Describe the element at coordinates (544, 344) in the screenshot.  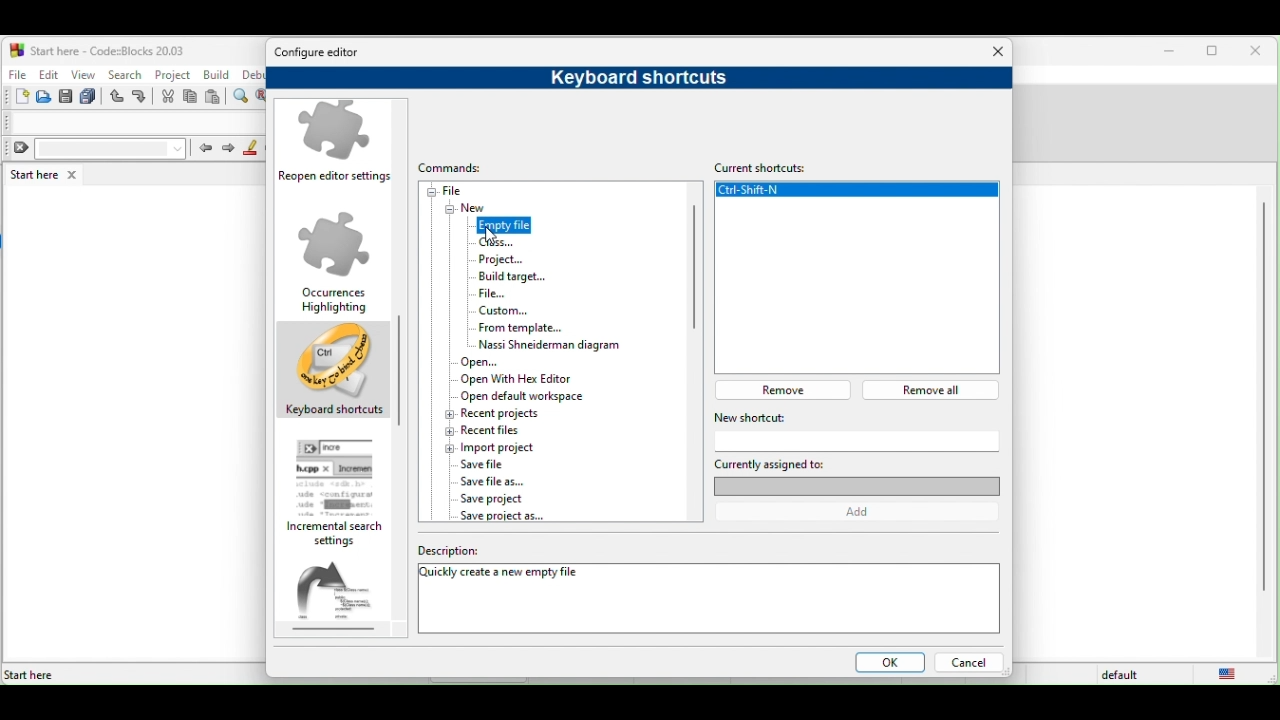
I see `nassi shneiderman diagram` at that location.